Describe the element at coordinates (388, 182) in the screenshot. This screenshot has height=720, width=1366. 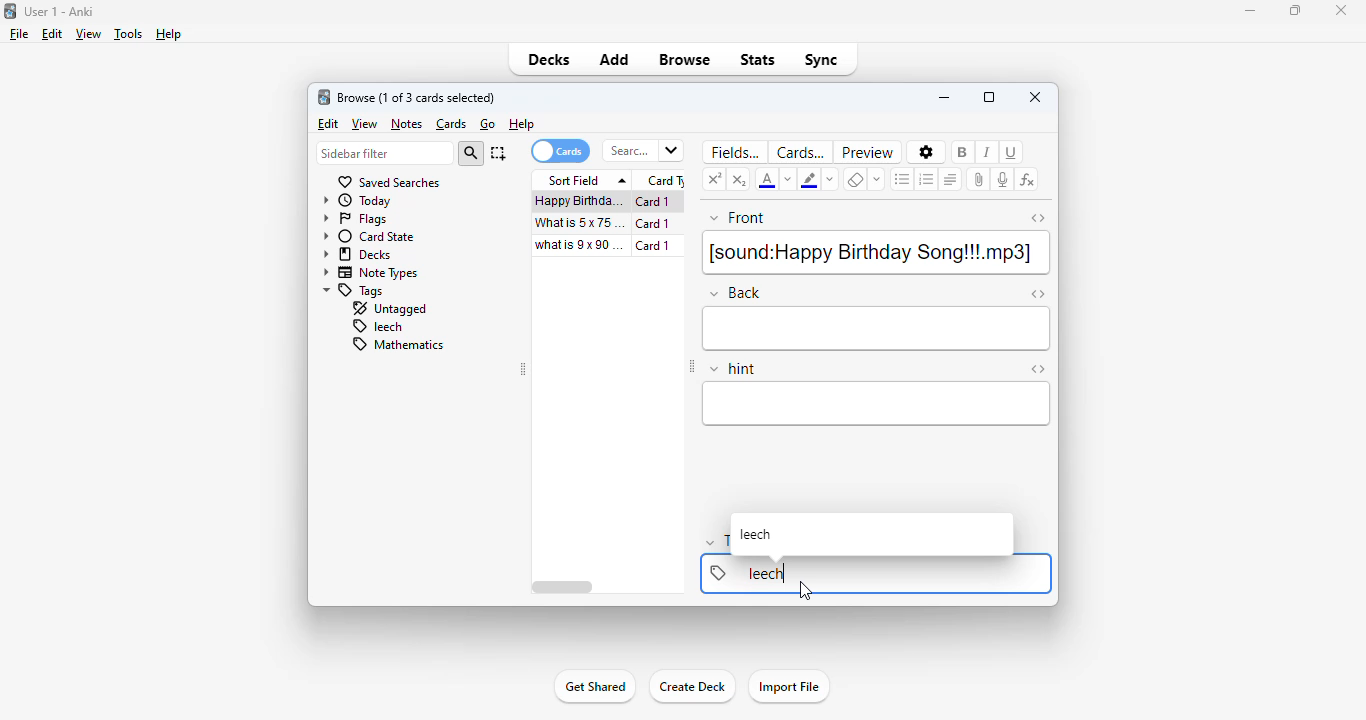
I see `saved searches` at that location.